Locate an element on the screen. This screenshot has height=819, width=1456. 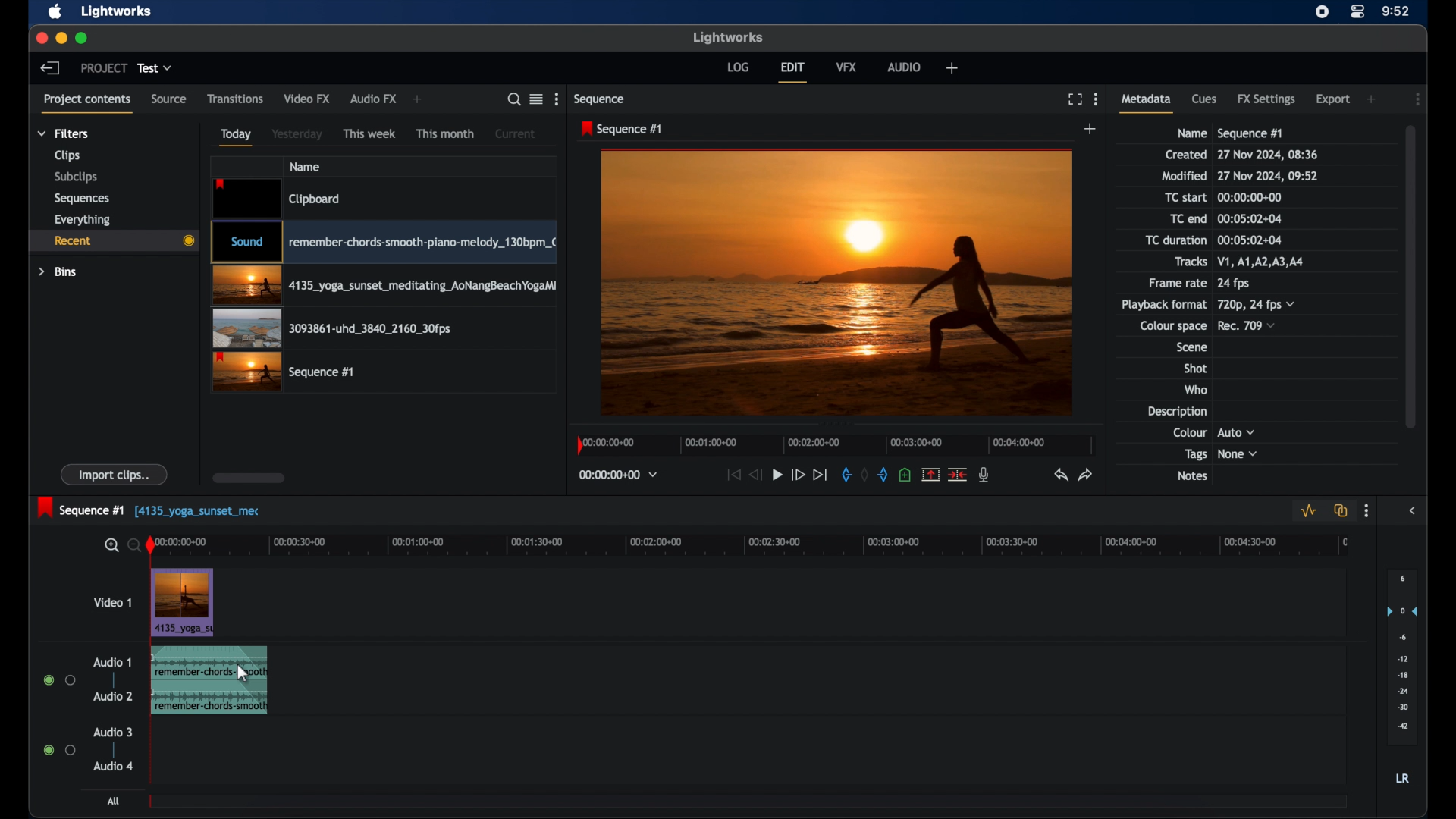
rewind is located at coordinates (755, 475).